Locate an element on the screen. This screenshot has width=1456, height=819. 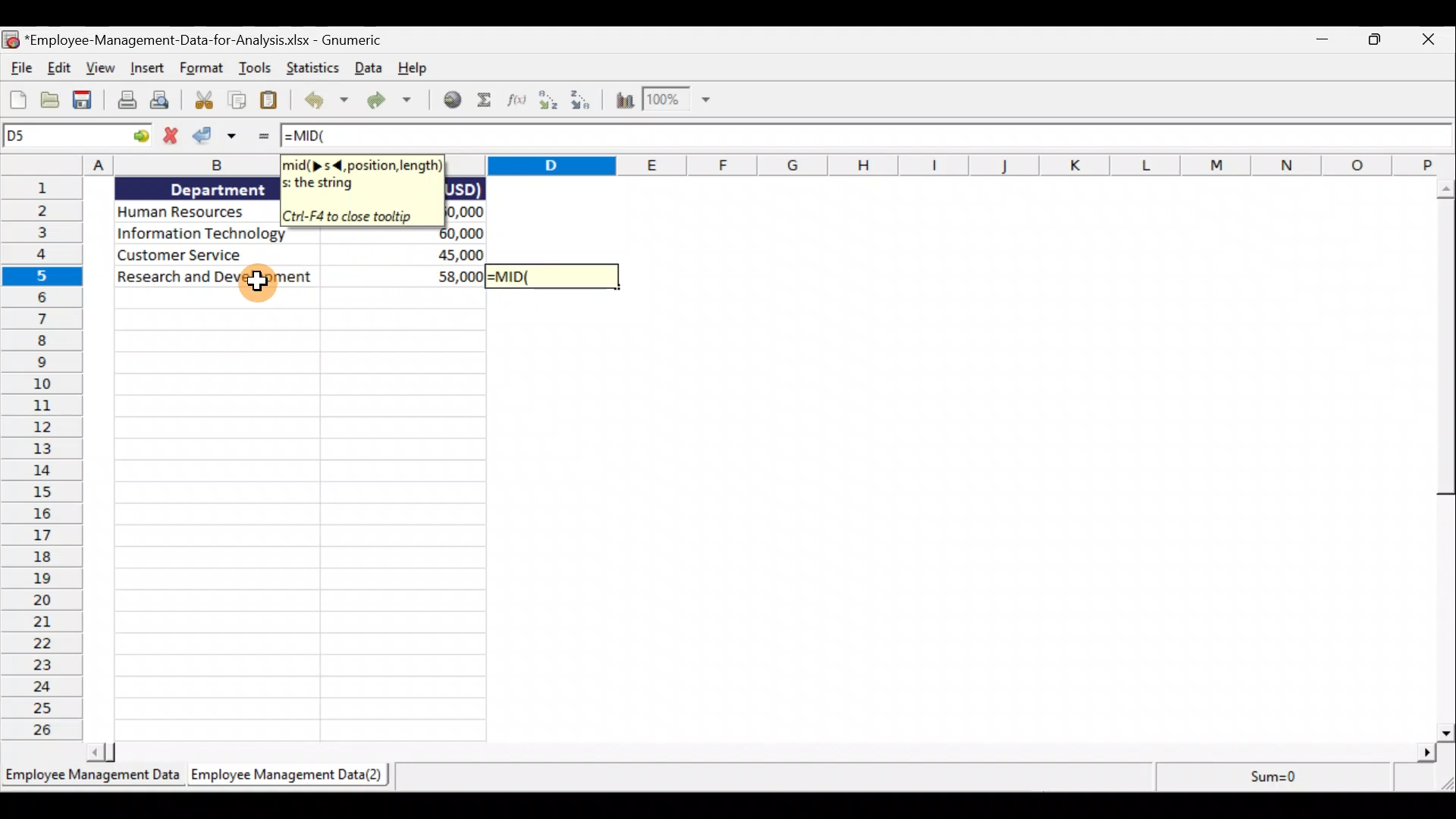
Cut selection is located at coordinates (202, 102).